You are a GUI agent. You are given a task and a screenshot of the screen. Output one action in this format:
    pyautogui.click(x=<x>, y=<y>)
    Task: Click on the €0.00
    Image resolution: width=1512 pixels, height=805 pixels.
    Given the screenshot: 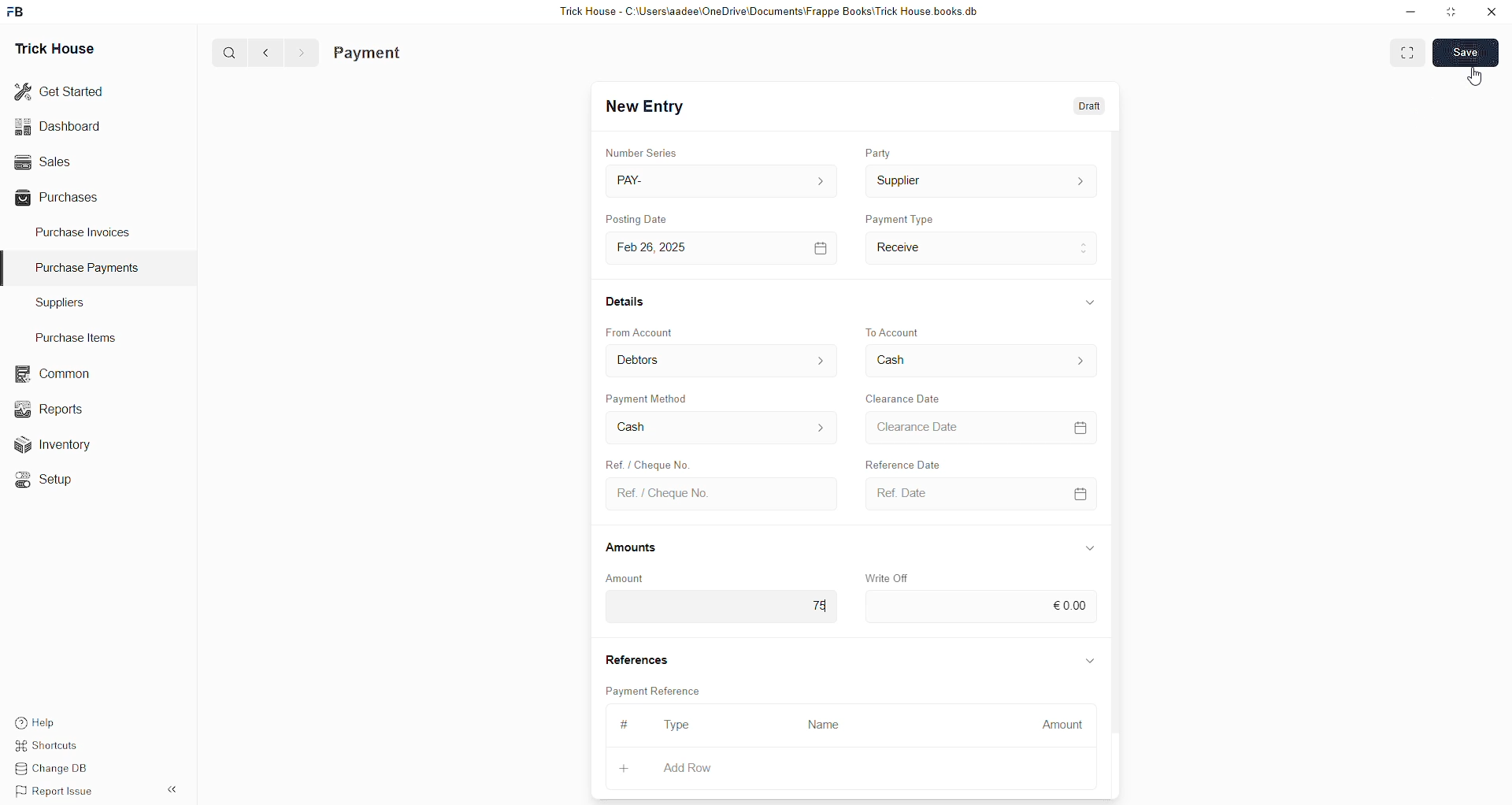 What is the action you would take?
    pyautogui.click(x=720, y=608)
    